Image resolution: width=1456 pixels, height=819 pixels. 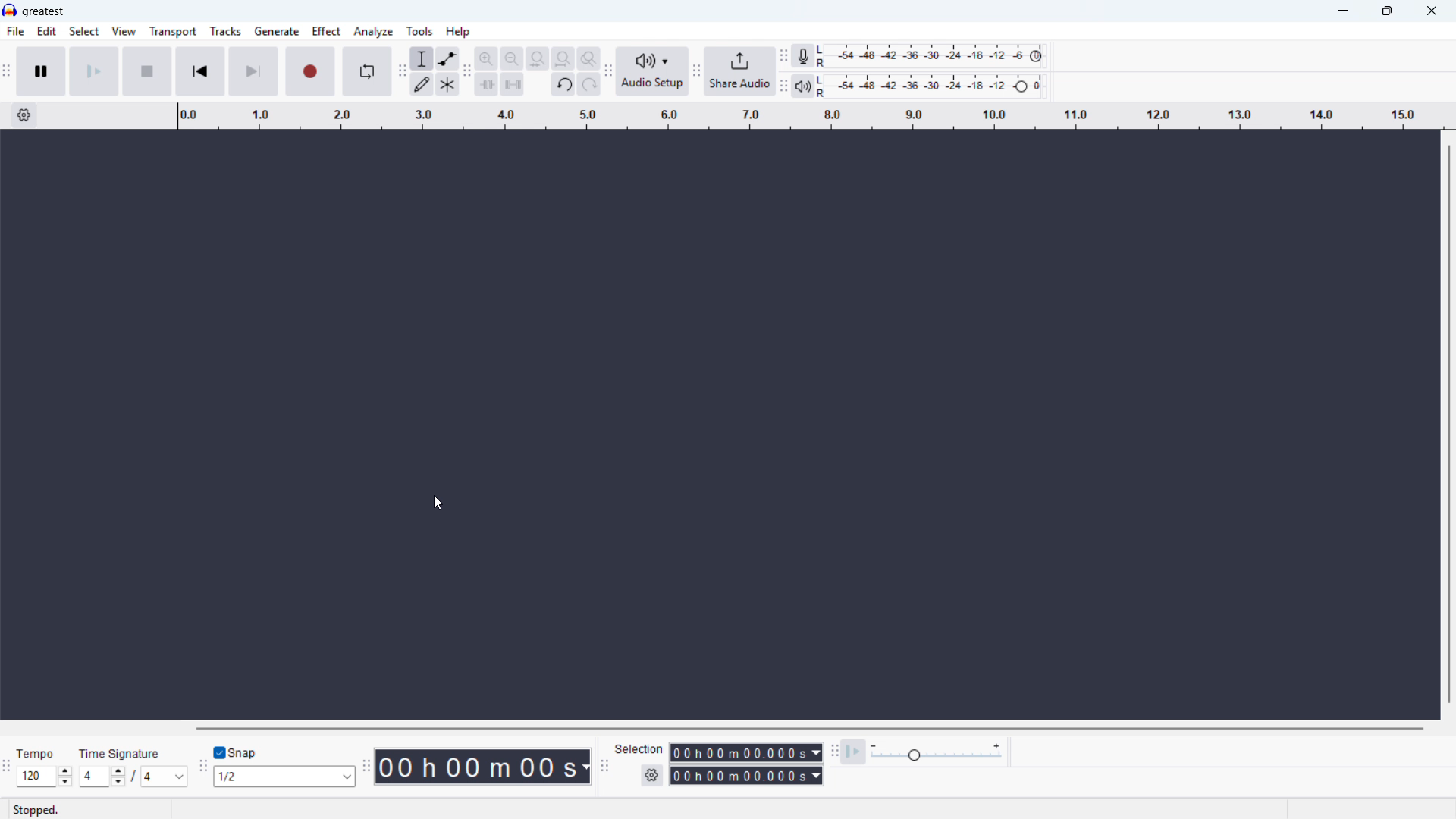 I want to click on Multi tool , so click(x=447, y=85).